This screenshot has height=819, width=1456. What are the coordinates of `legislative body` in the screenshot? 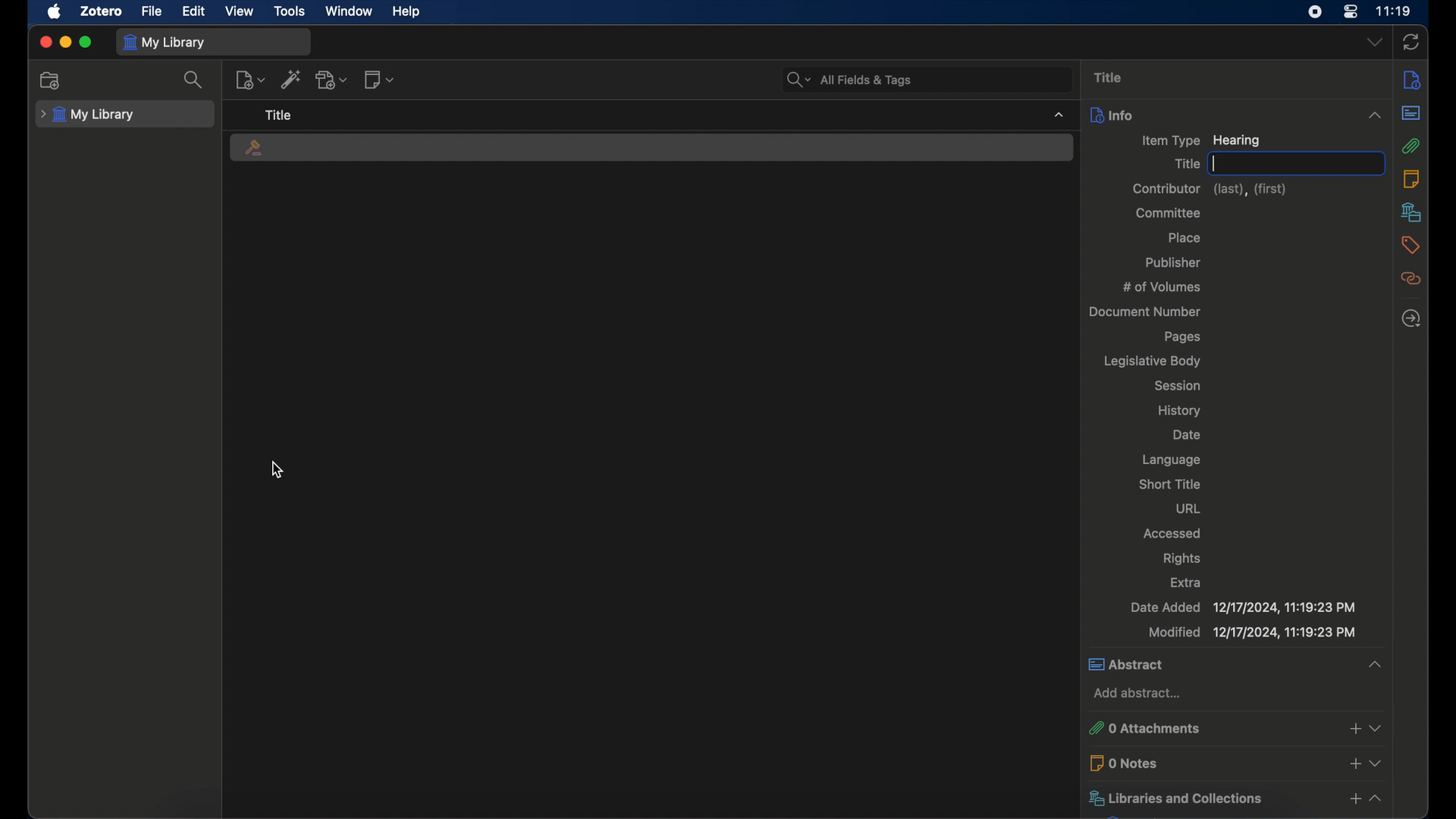 It's located at (1152, 360).